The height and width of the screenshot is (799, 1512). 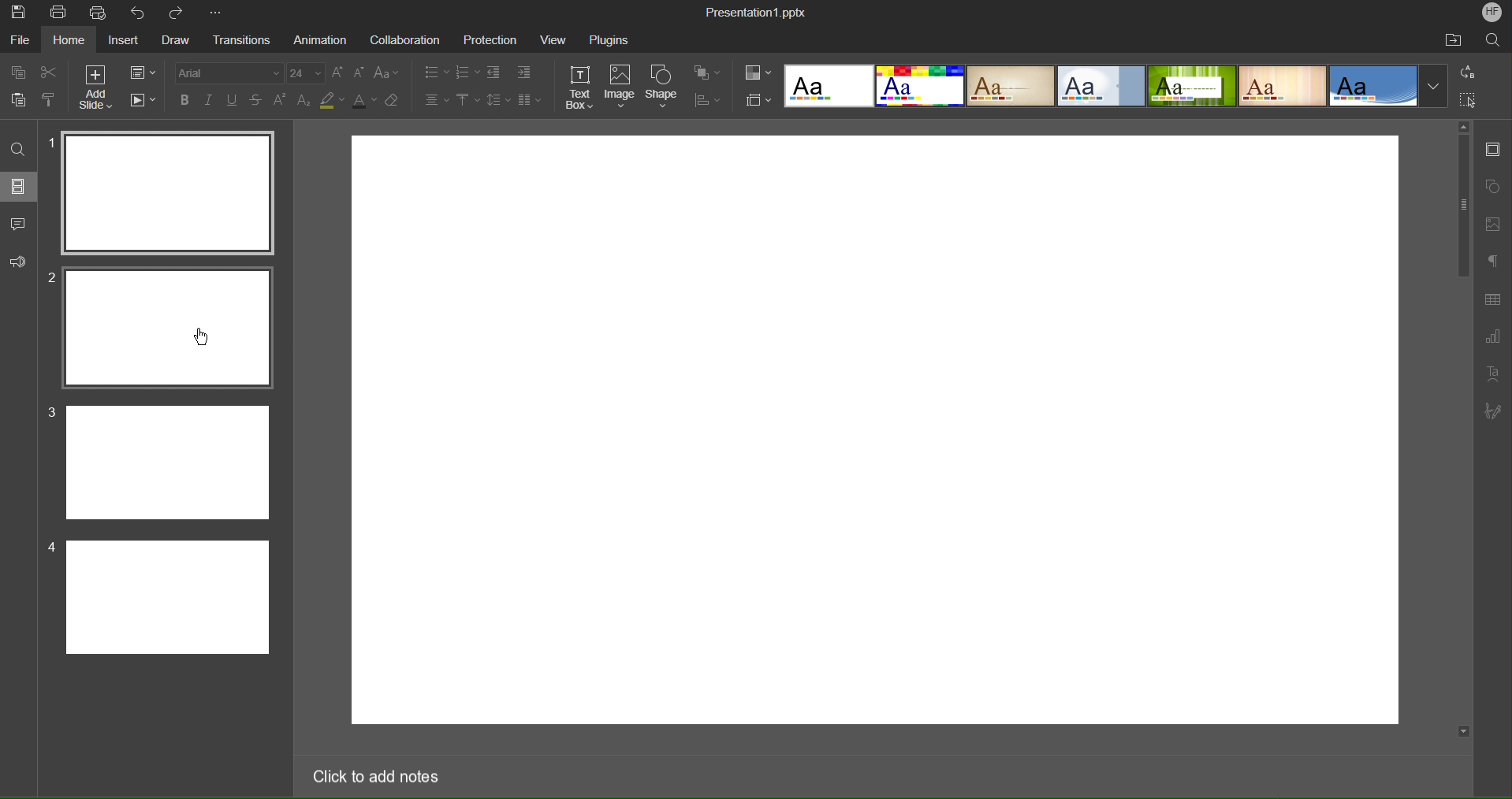 I want to click on More Options, so click(x=215, y=13).